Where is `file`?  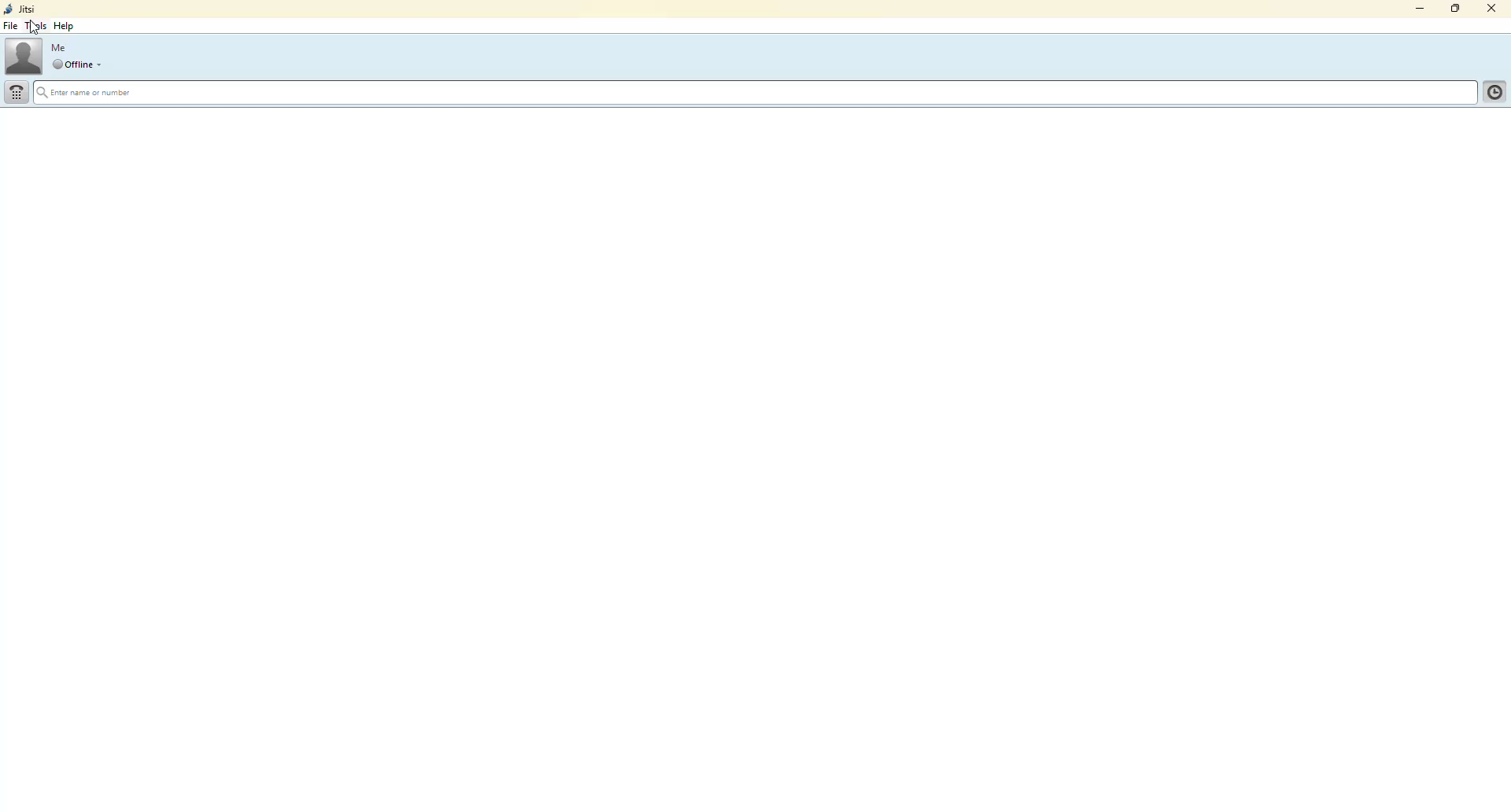
file is located at coordinates (13, 27).